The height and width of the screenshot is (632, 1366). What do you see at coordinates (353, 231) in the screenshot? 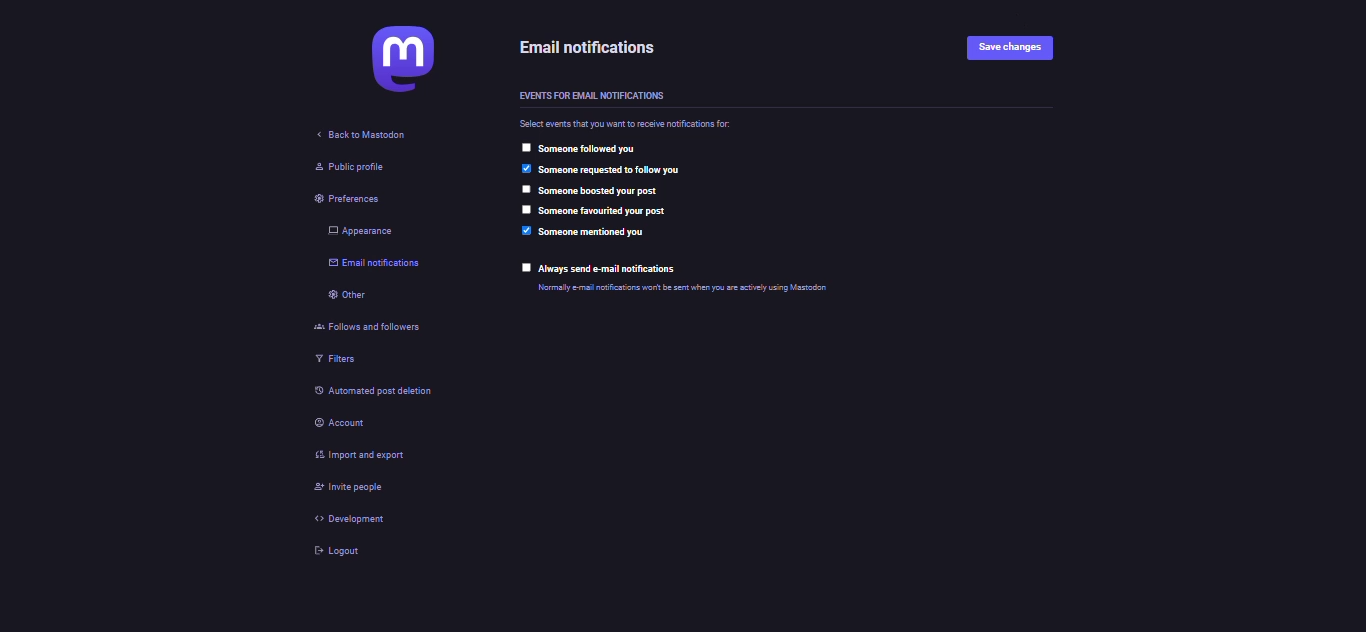
I see `appearance` at bounding box center [353, 231].